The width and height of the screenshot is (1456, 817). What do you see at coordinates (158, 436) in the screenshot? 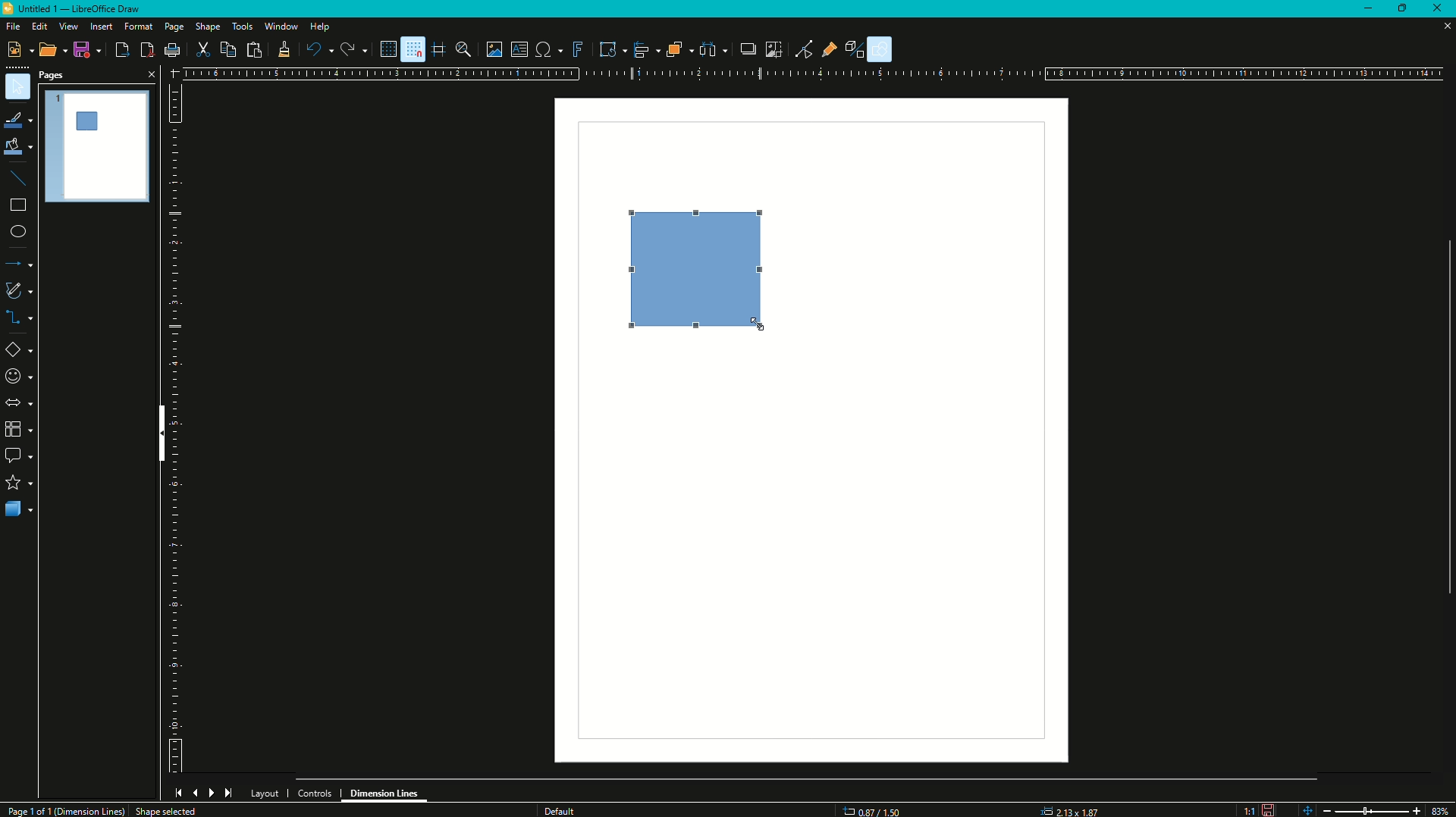
I see `Hide` at bounding box center [158, 436].